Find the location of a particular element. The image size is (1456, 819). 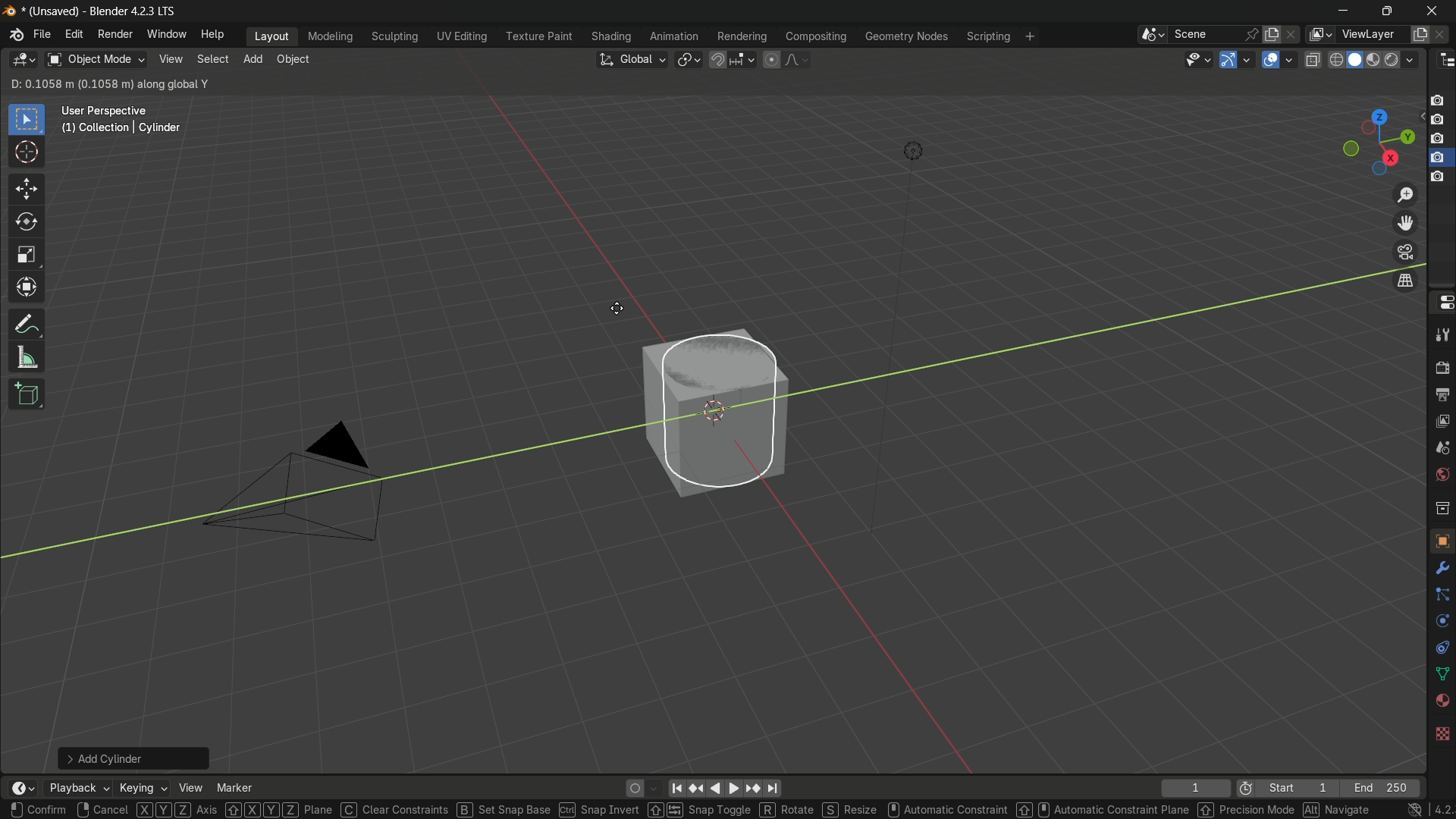

cursor is located at coordinates (27, 153).